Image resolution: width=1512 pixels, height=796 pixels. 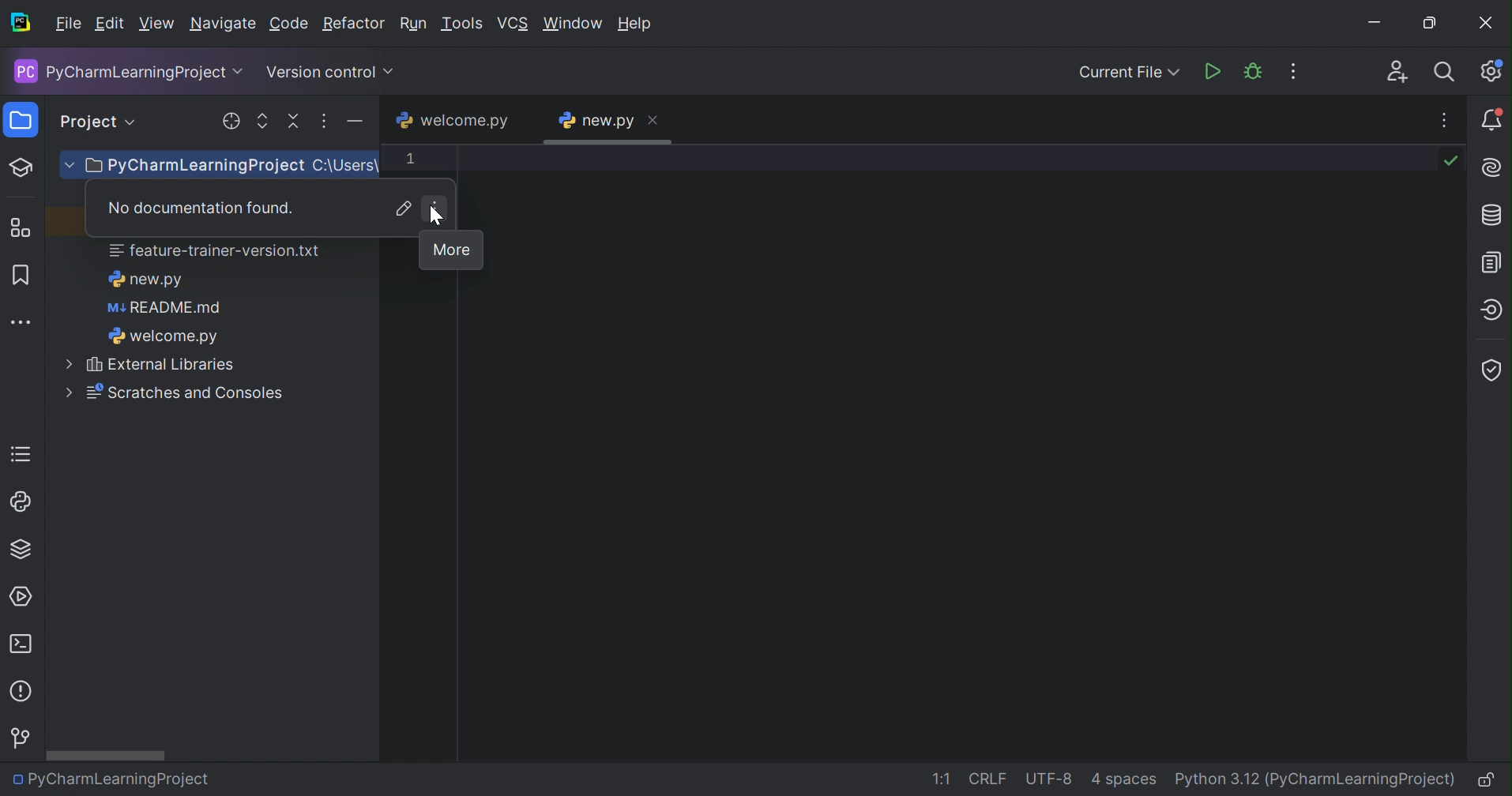 I want to click on Version Control, so click(x=22, y=738).